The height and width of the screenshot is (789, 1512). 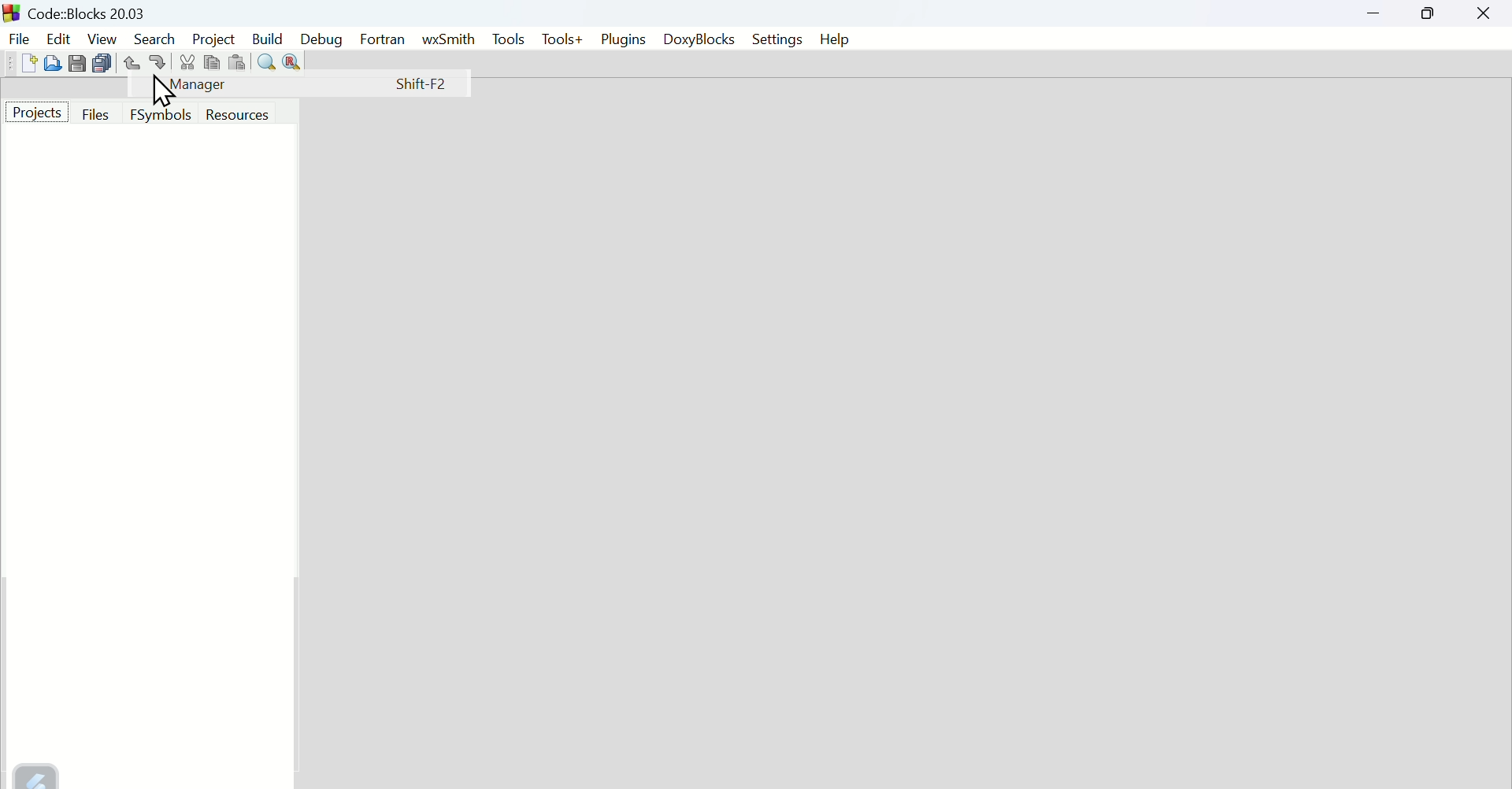 What do you see at coordinates (777, 39) in the screenshot?
I see `Settings` at bounding box center [777, 39].